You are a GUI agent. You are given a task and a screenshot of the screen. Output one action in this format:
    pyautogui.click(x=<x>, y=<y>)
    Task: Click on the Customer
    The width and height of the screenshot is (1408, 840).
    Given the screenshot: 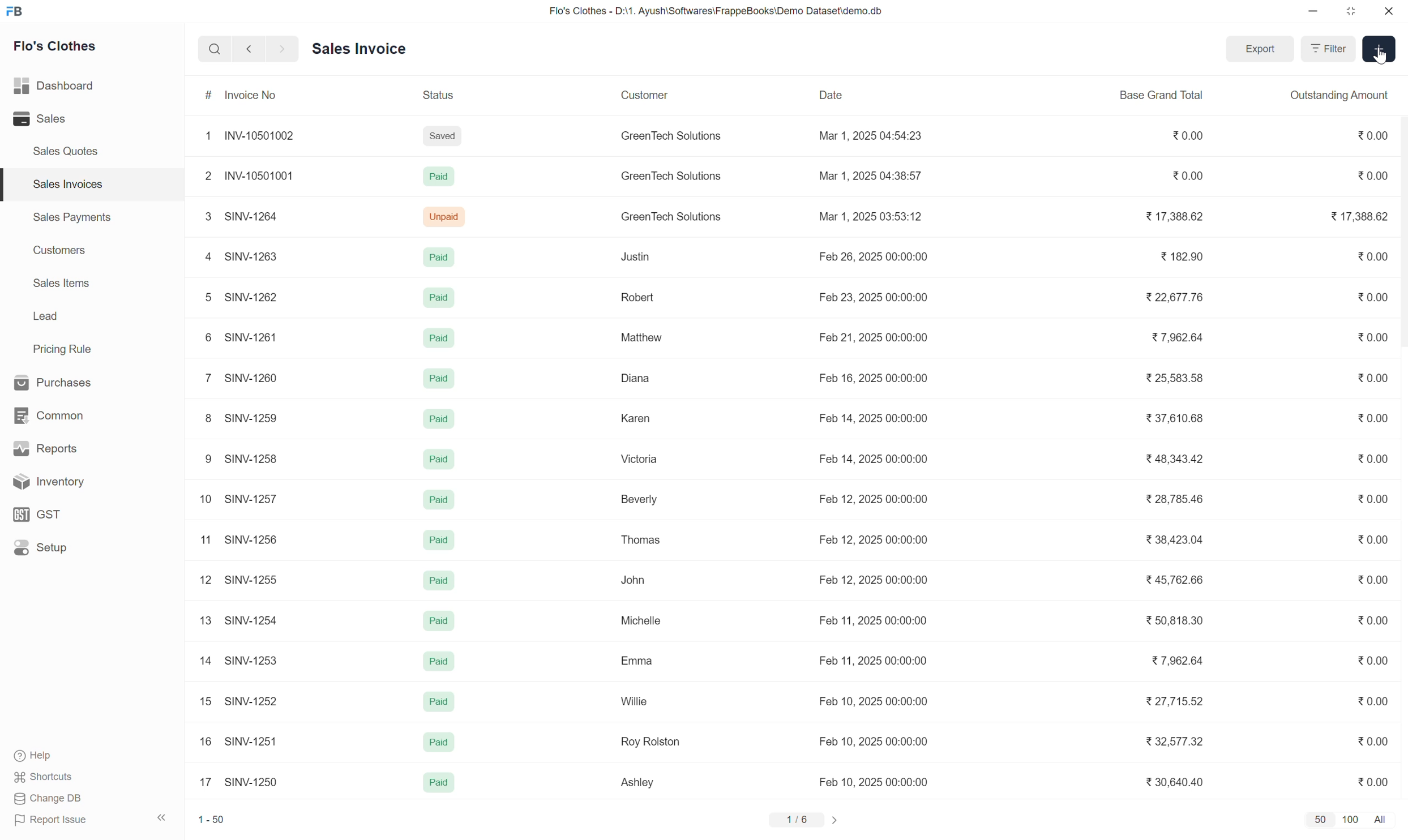 What is the action you would take?
    pyautogui.click(x=649, y=96)
    